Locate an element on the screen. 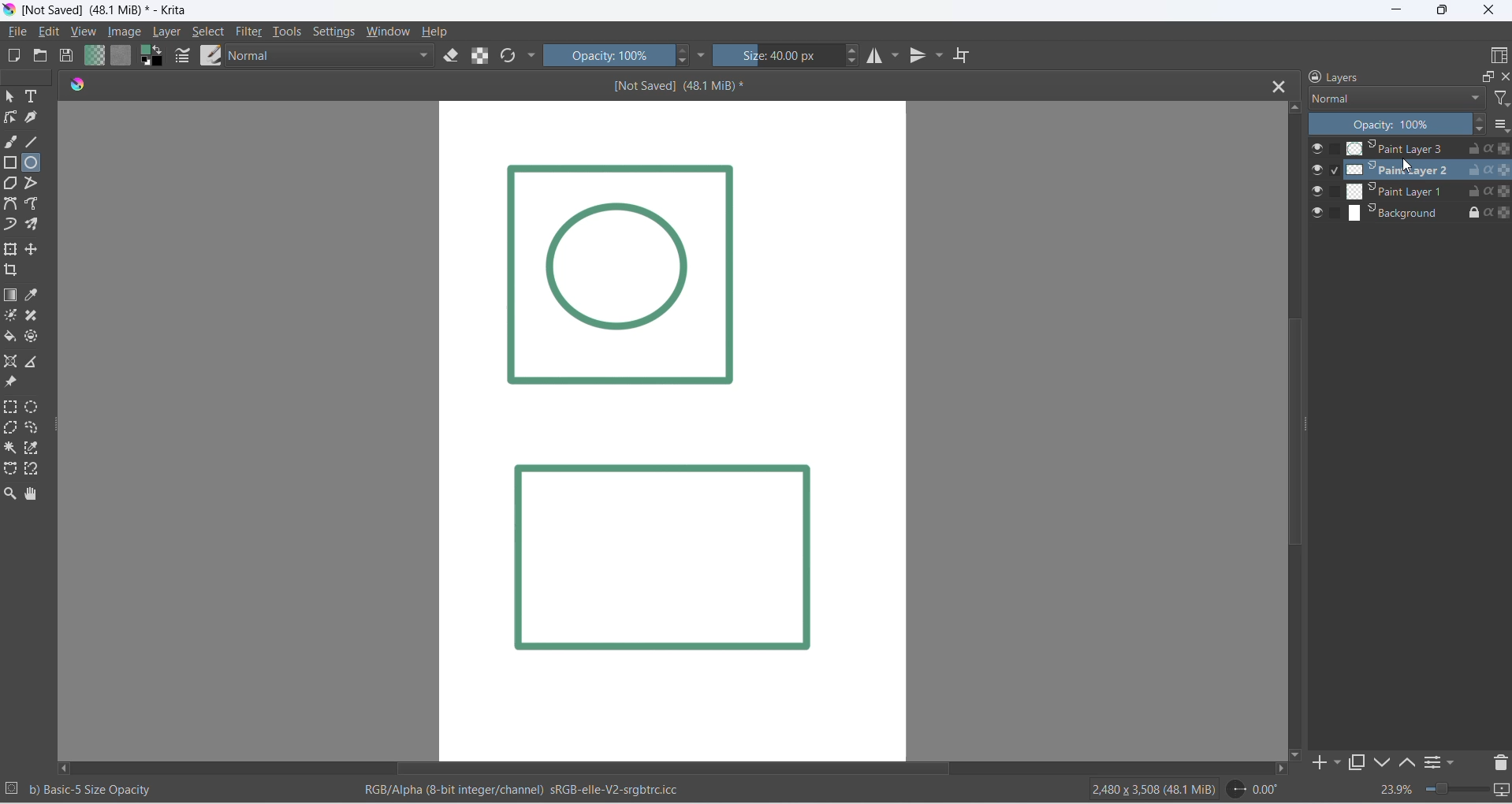  sample a color is located at coordinates (39, 295).